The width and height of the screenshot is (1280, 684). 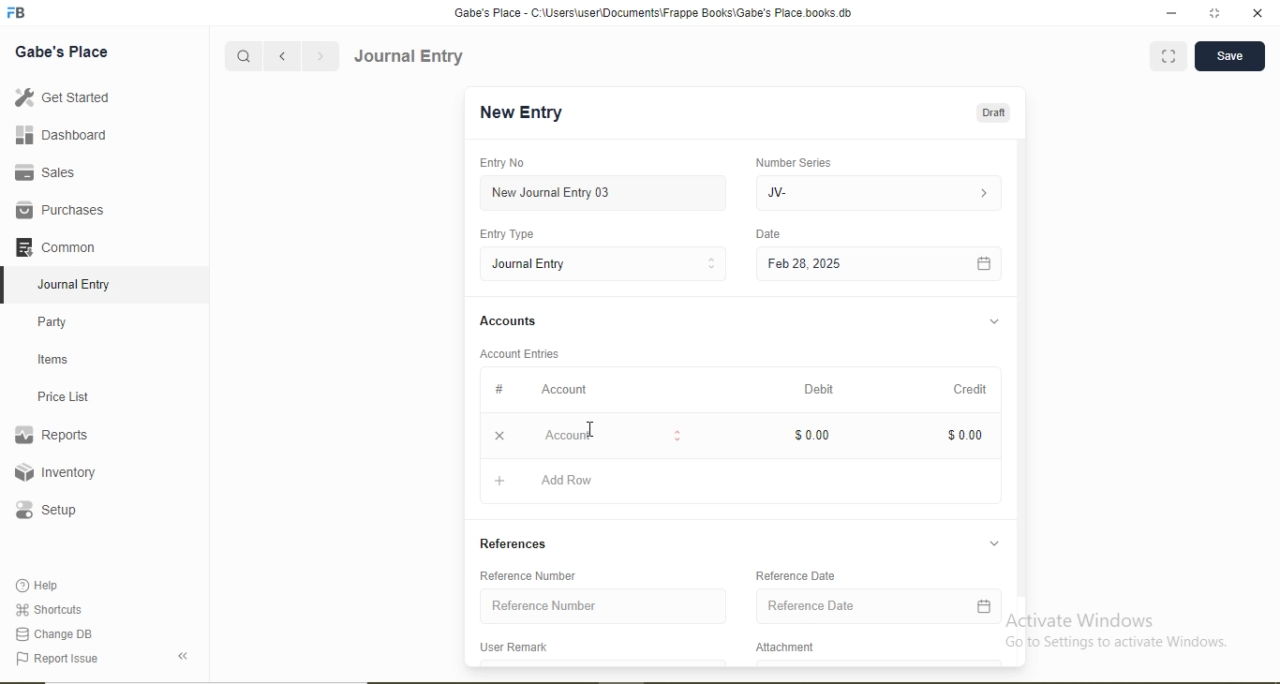 What do you see at coordinates (1215, 13) in the screenshot?
I see `full screen` at bounding box center [1215, 13].